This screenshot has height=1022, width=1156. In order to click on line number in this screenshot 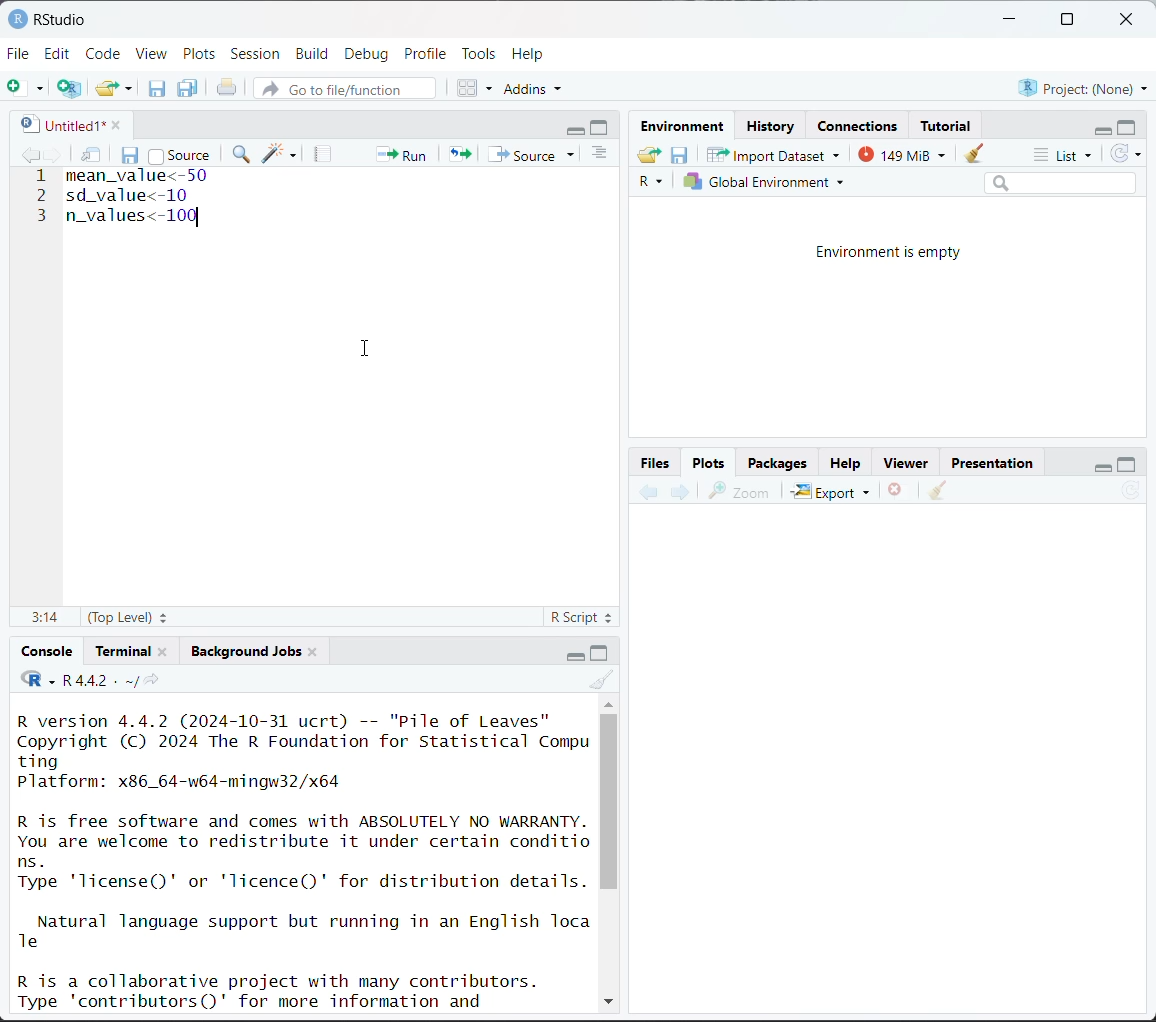, I will do `click(41, 194)`.